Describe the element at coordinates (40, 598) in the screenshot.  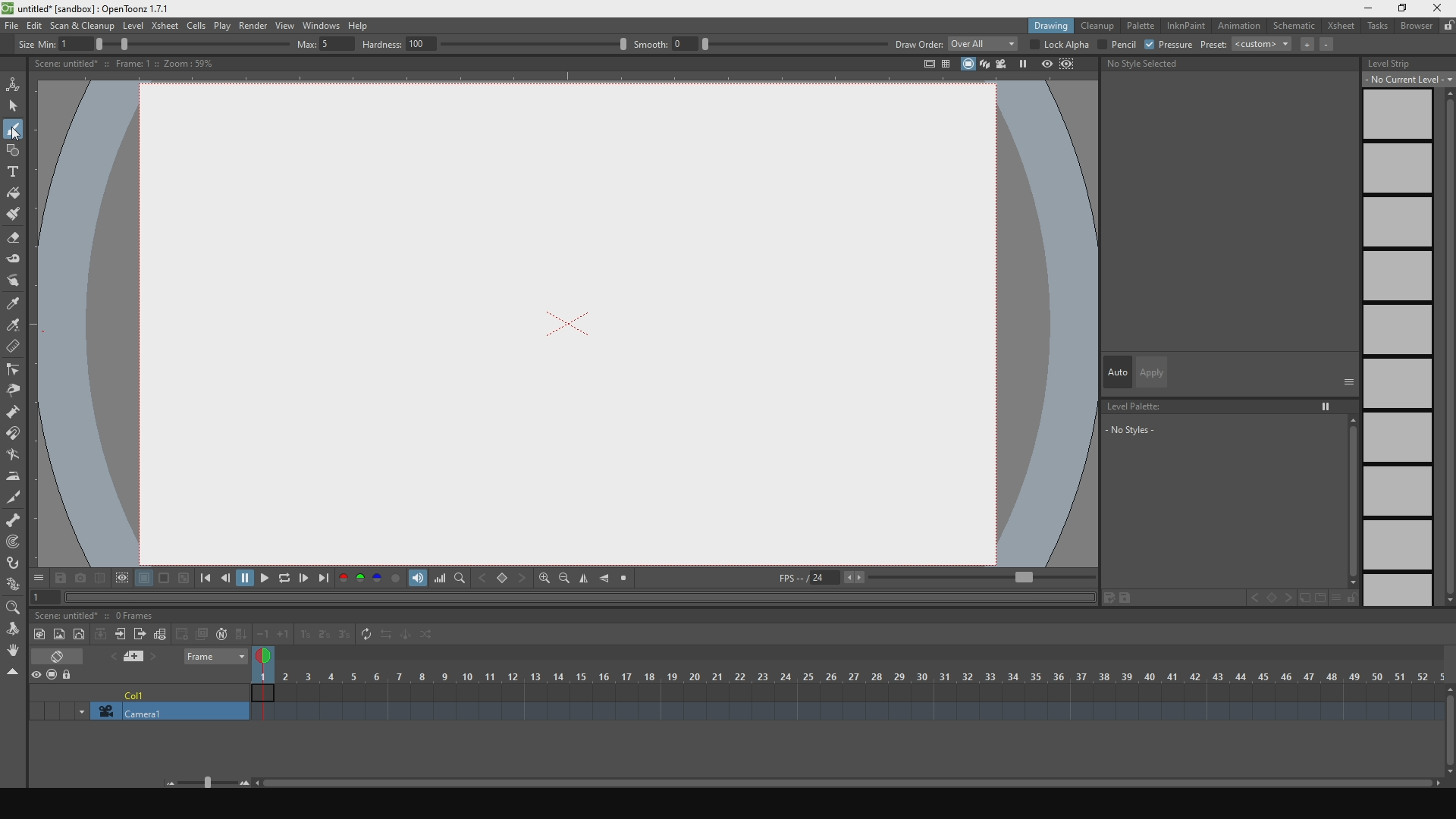
I see `1` at that location.